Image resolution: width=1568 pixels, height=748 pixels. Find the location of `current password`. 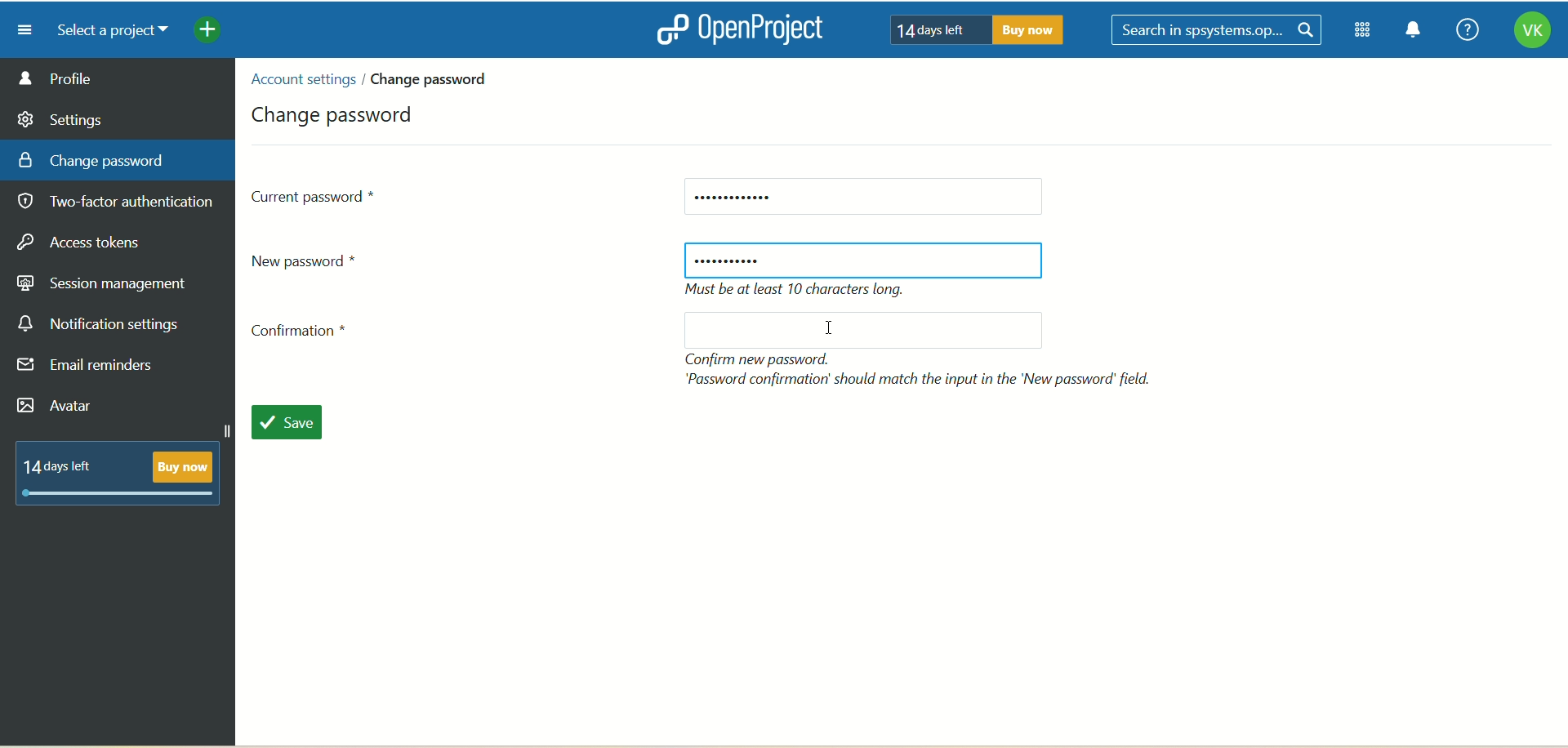

current password is located at coordinates (315, 195).